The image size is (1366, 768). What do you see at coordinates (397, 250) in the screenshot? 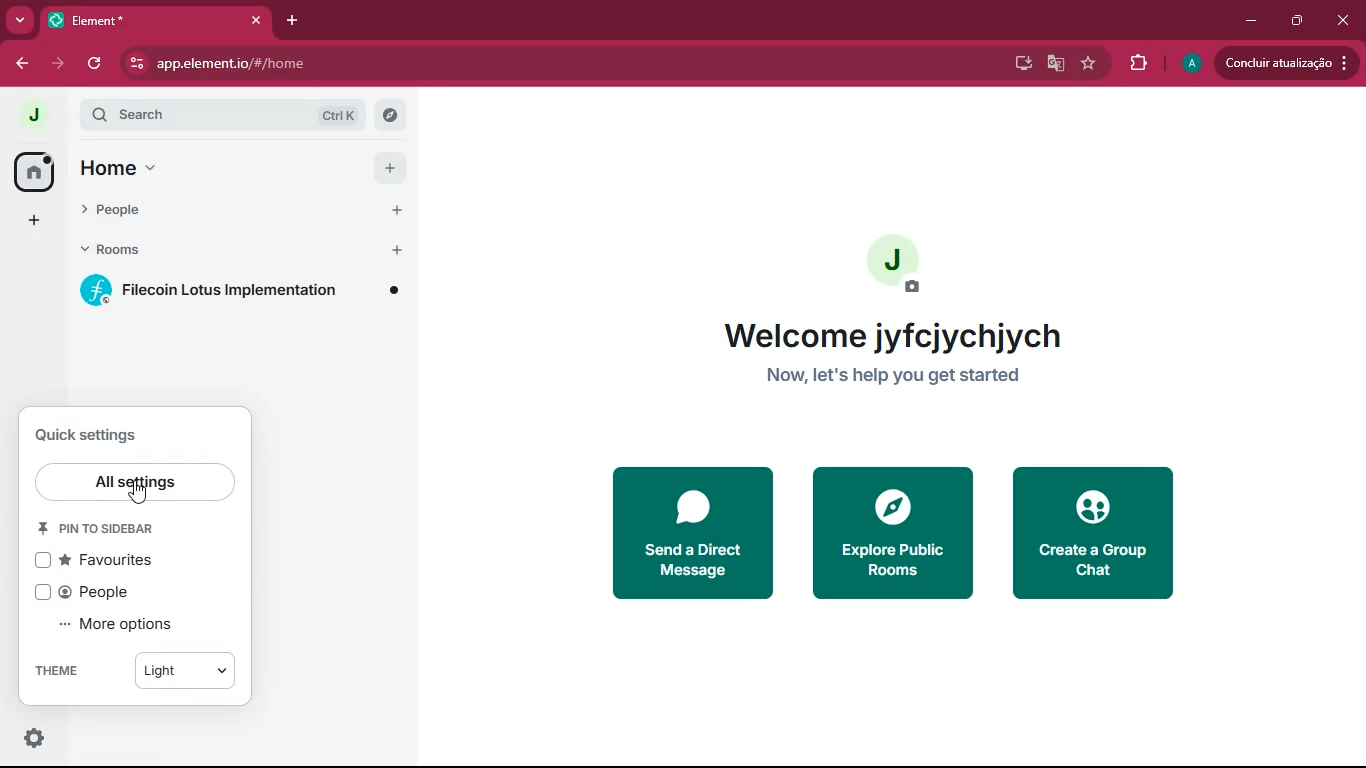
I see `add room` at bounding box center [397, 250].